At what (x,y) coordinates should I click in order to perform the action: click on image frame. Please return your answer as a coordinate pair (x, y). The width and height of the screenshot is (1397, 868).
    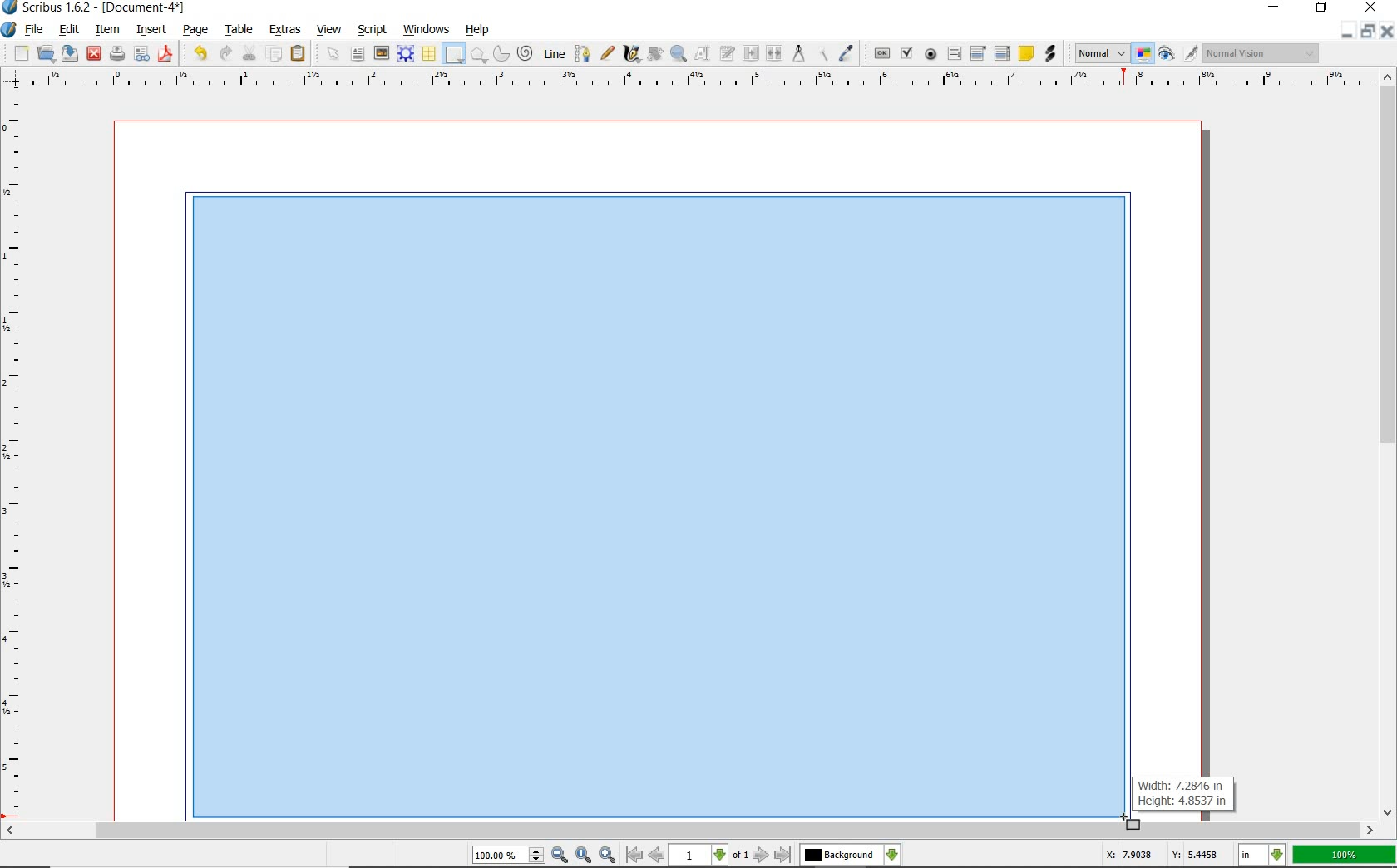
    Looking at the image, I should click on (382, 55).